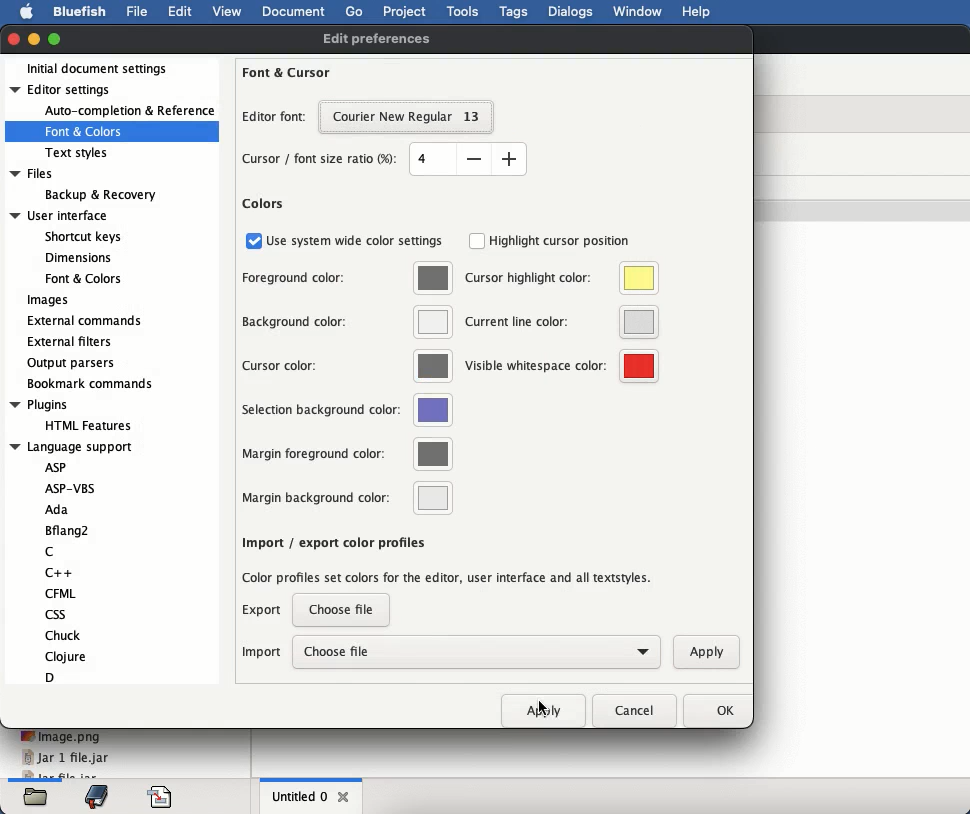 This screenshot has width=970, height=814. Describe the element at coordinates (51, 301) in the screenshot. I see `images` at that location.